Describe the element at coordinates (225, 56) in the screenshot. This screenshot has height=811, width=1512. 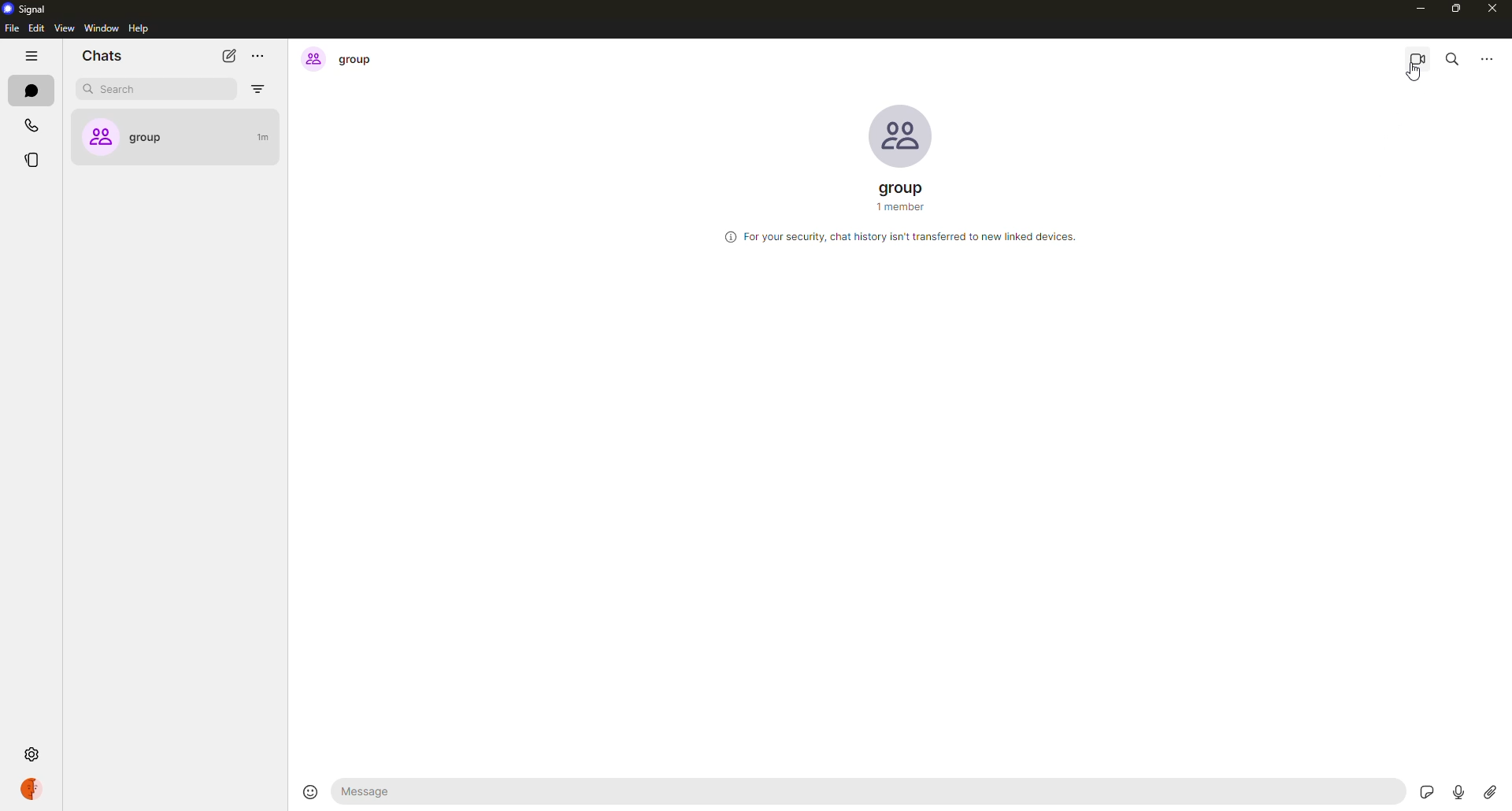
I see `new chat` at that location.